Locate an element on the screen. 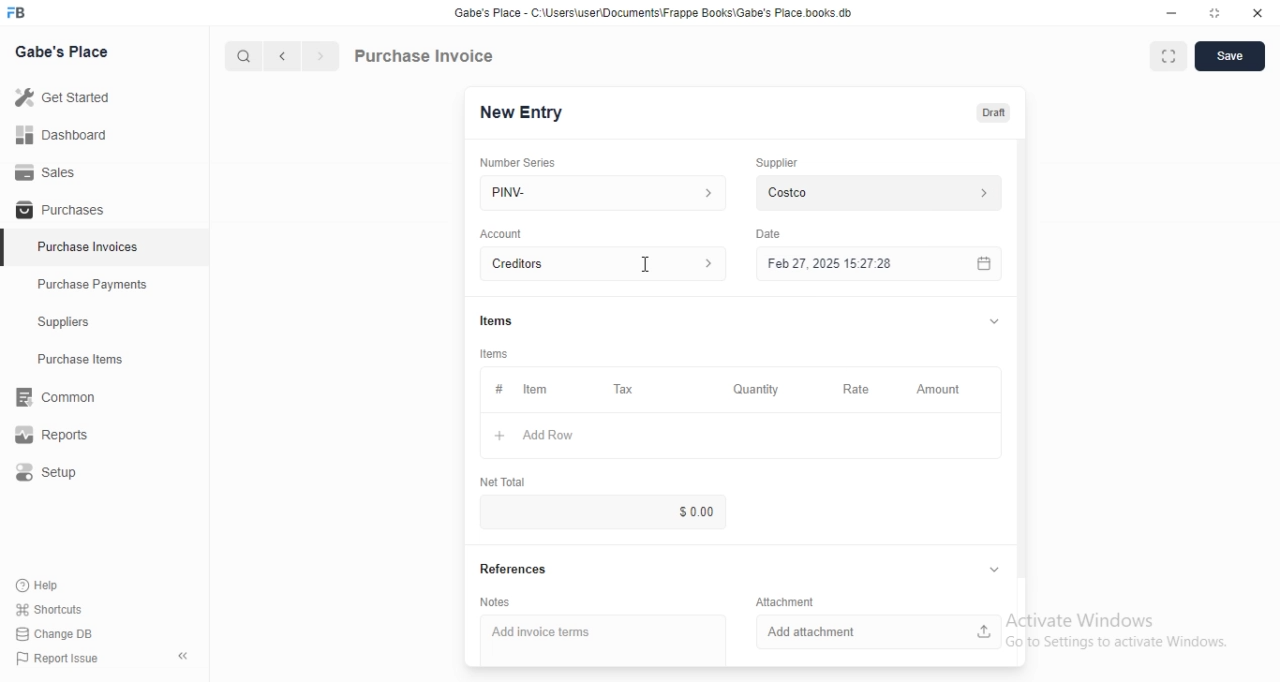 The width and height of the screenshot is (1280, 682). Add Row is located at coordinates (741, 435).